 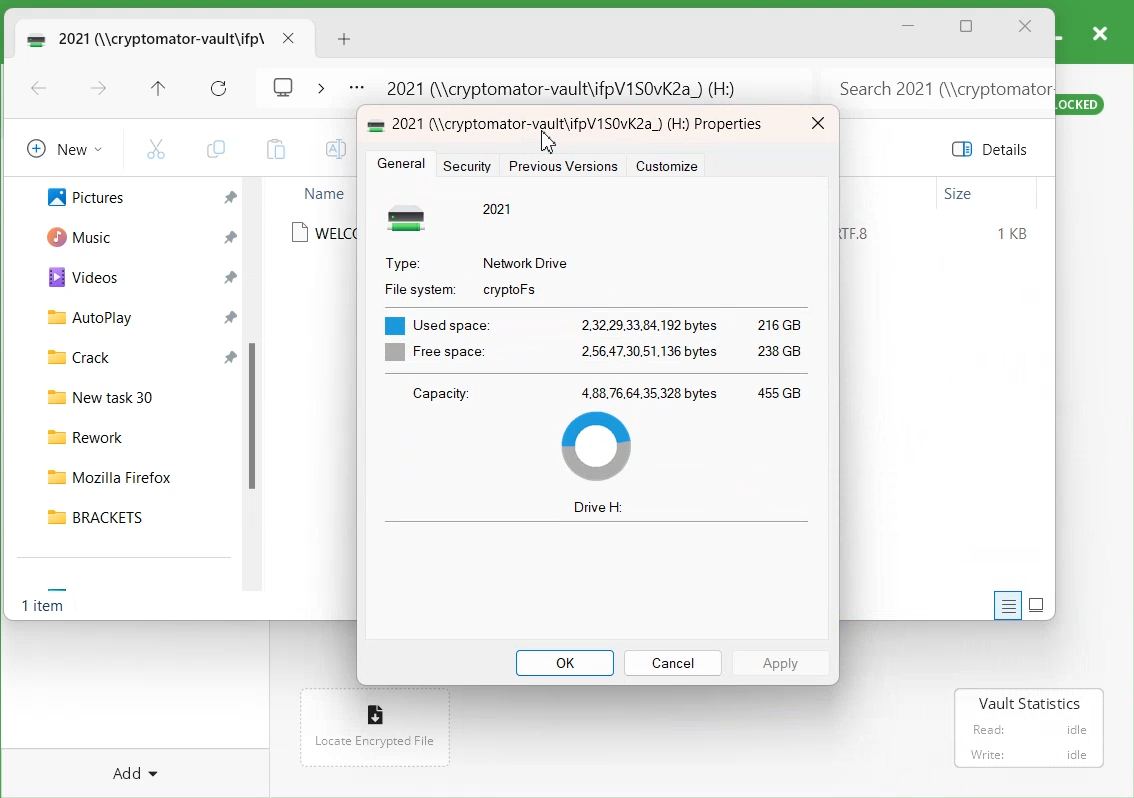 I want to click on icon, so click(x=377, y=710).